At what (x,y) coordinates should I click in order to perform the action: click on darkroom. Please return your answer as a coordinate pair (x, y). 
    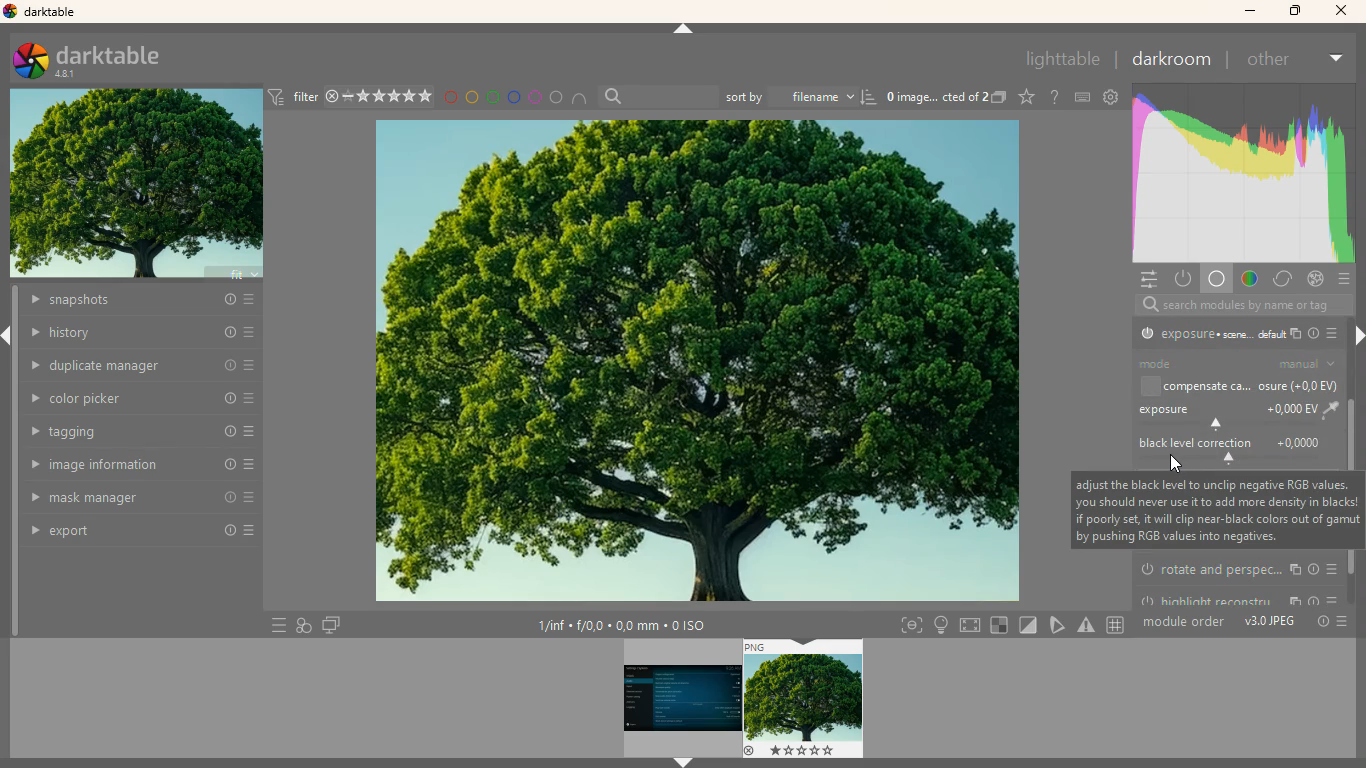
    Looking at the image, I should click on (1176, 61).